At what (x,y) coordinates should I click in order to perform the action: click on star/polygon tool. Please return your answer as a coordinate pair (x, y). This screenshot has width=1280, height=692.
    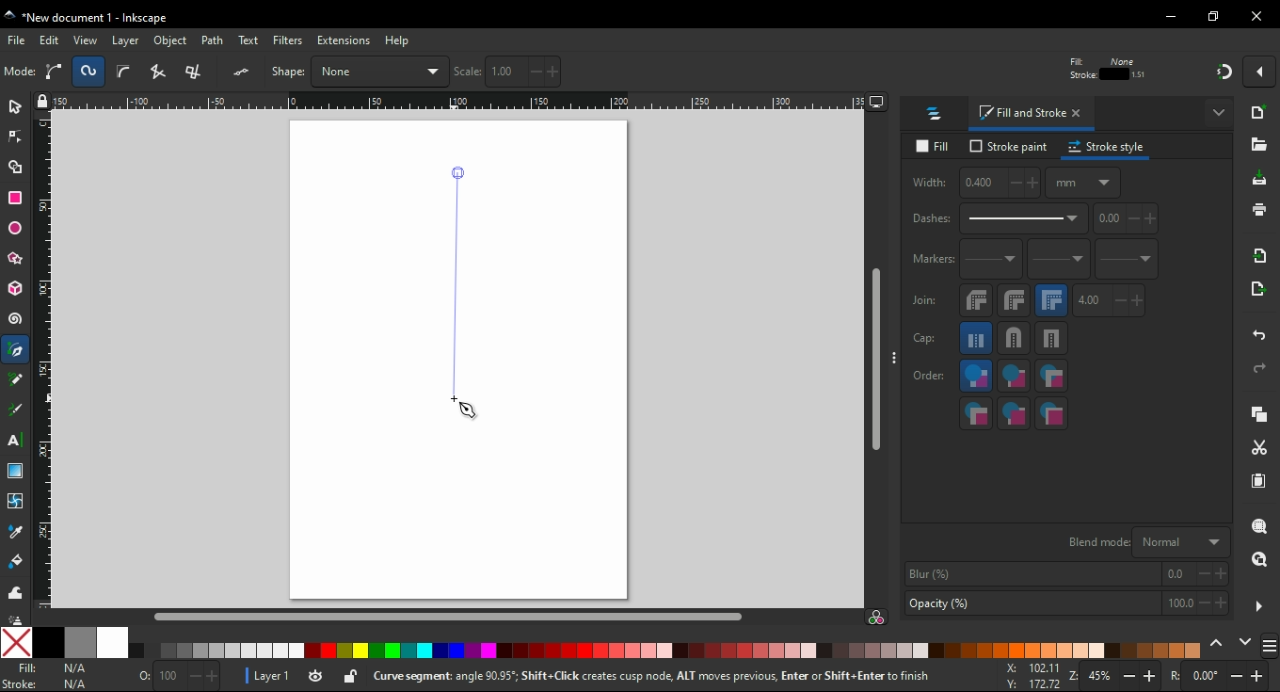
    Looking at the image, I should click on (17, 258).